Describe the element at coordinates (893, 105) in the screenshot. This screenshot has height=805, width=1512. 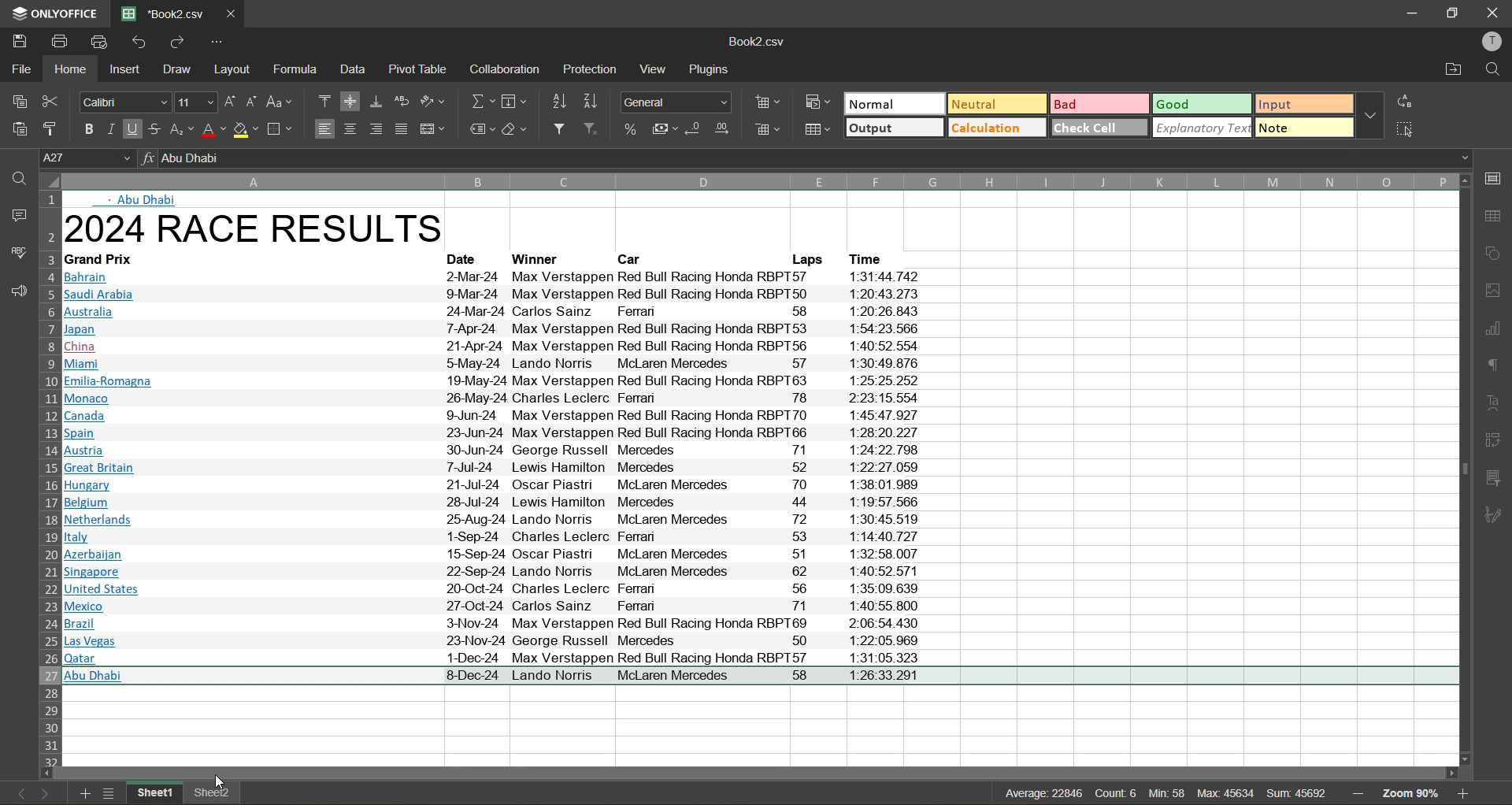
I see `normal` at that location.